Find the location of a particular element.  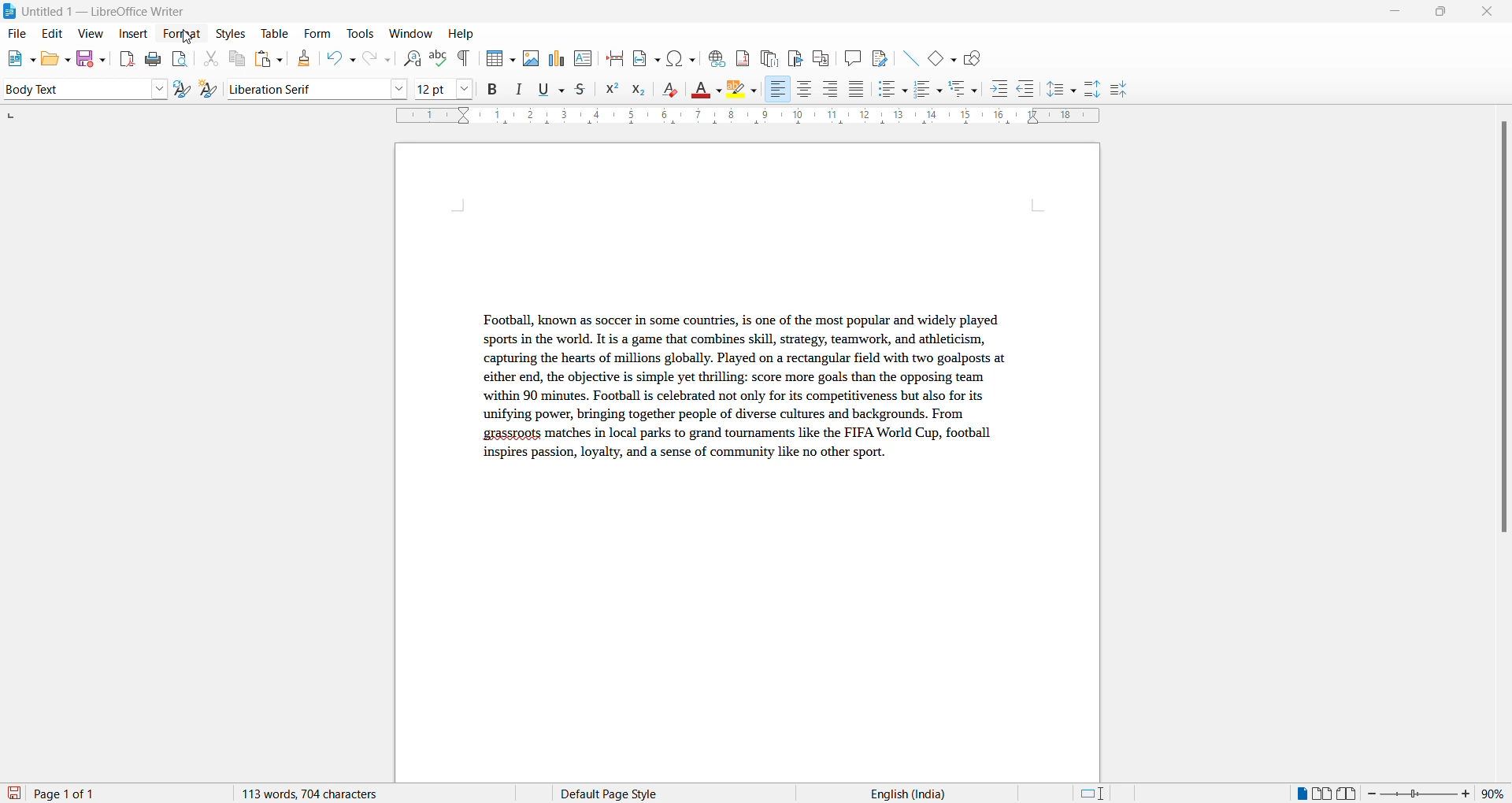

text align right is located at coordinates (777, 90).